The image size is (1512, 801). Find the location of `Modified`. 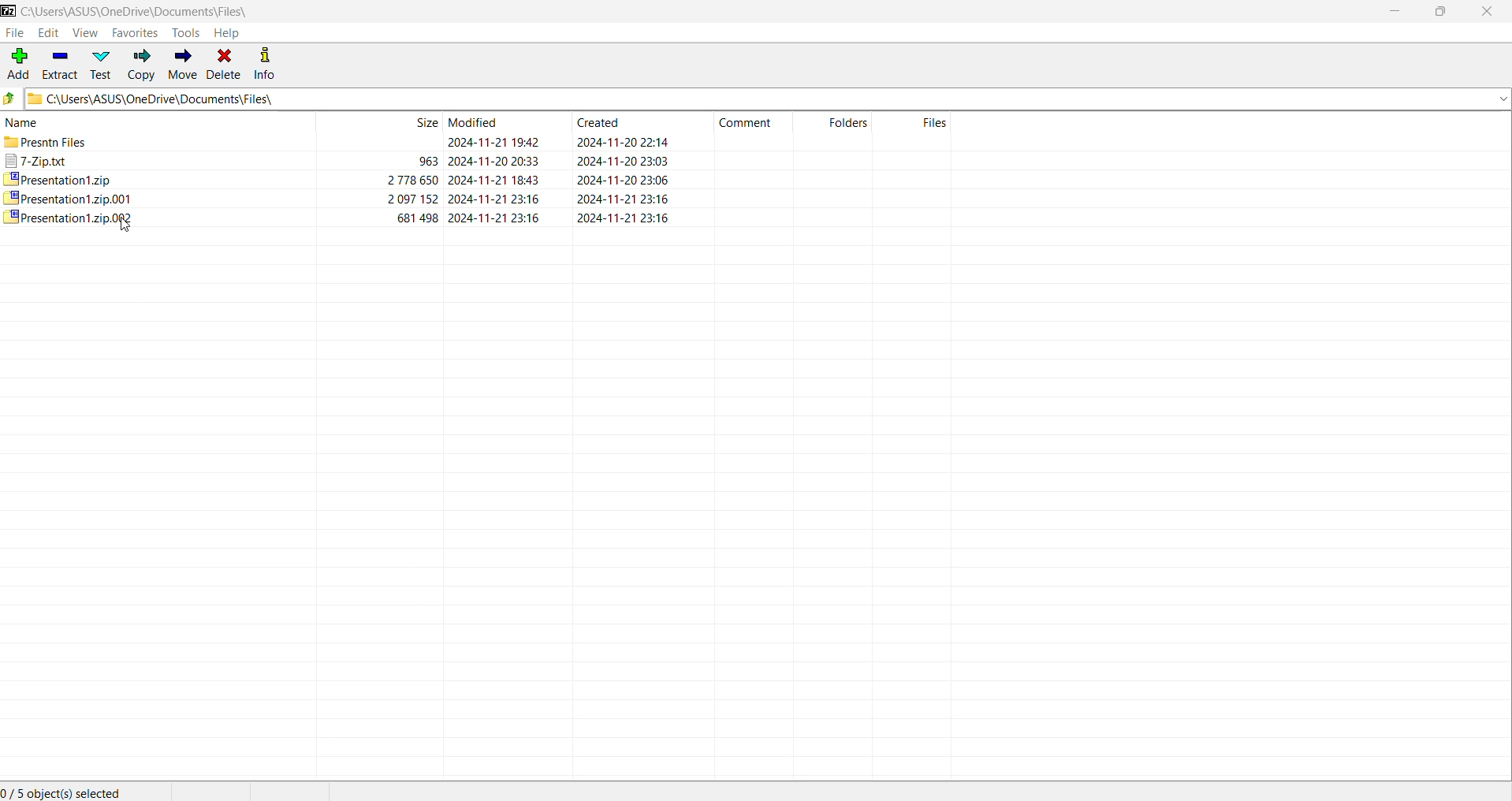

Modified is located at coordinates (499, 122).